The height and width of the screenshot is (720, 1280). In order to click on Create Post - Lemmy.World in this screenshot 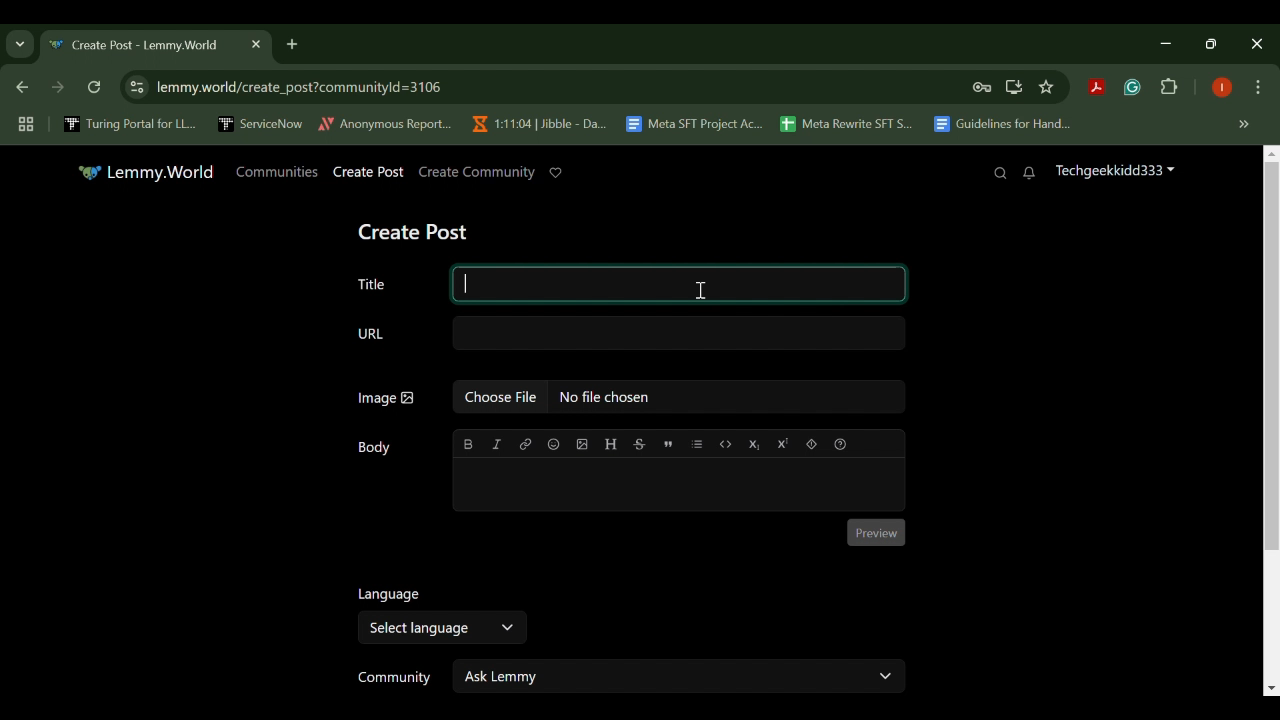, I will do `click(138, 46)`.